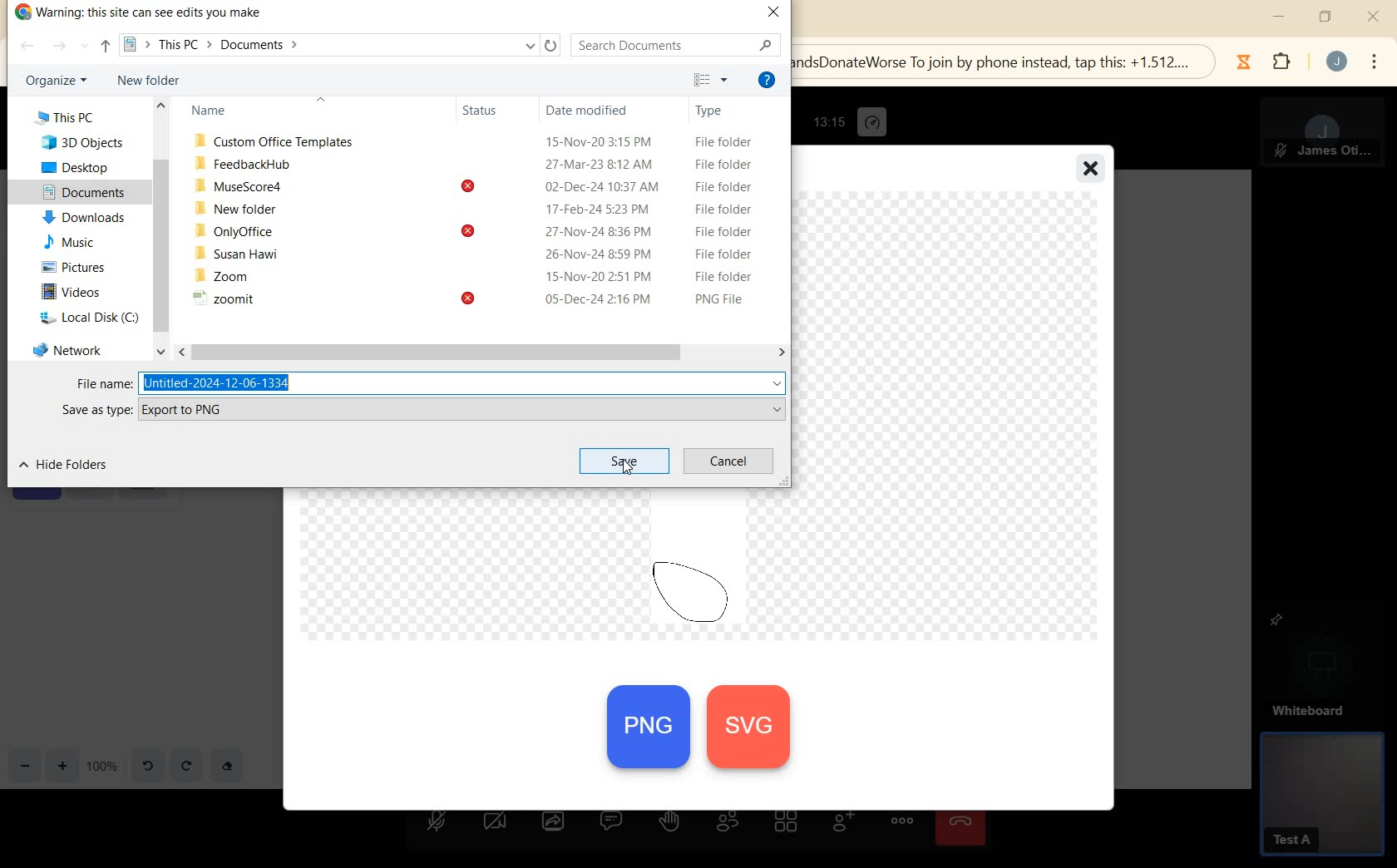 Image resolution: width=1397 pixels, height=868 pixels. What do you see at coordinates (732, 230) in the screenshot?
I see `File folder` at bounding box center [732, 230].